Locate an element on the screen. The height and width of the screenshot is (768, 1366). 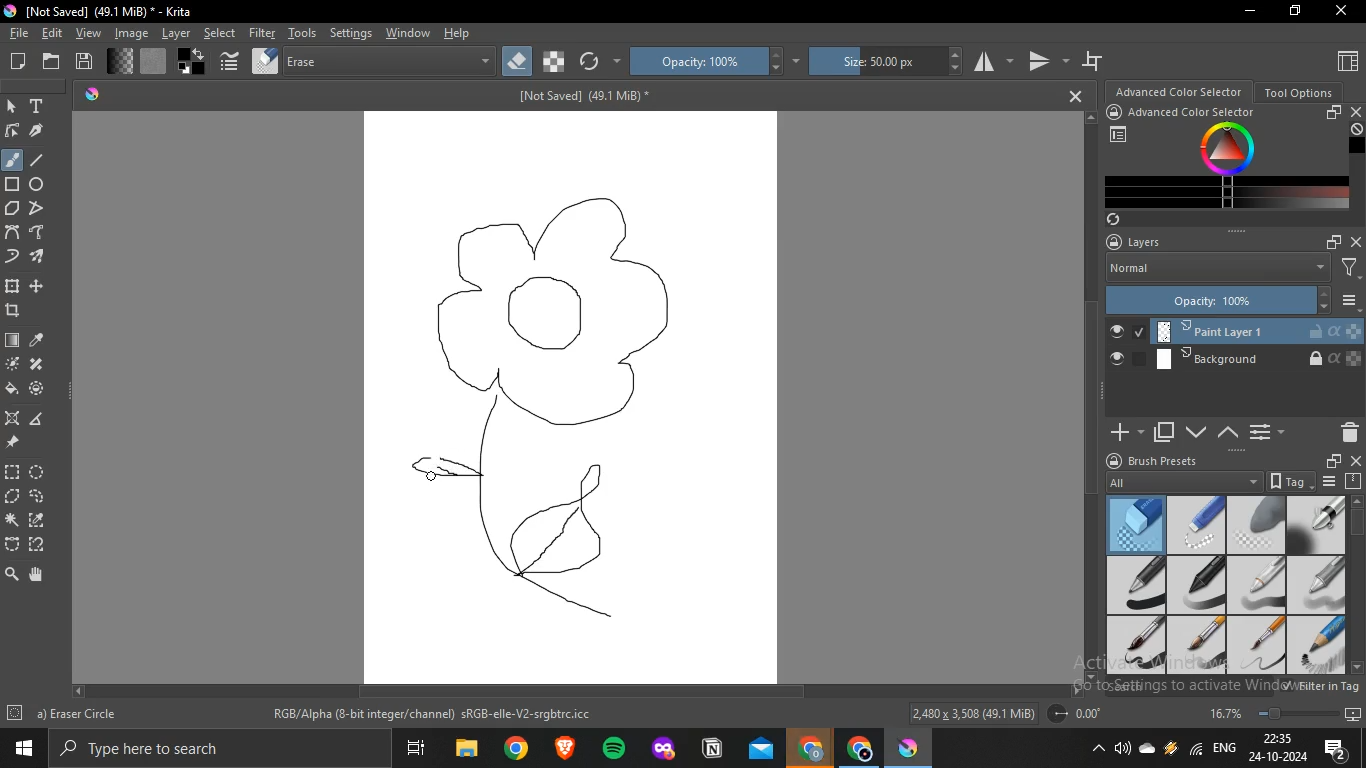
edit brush settings is located at coordinates (231, 60).